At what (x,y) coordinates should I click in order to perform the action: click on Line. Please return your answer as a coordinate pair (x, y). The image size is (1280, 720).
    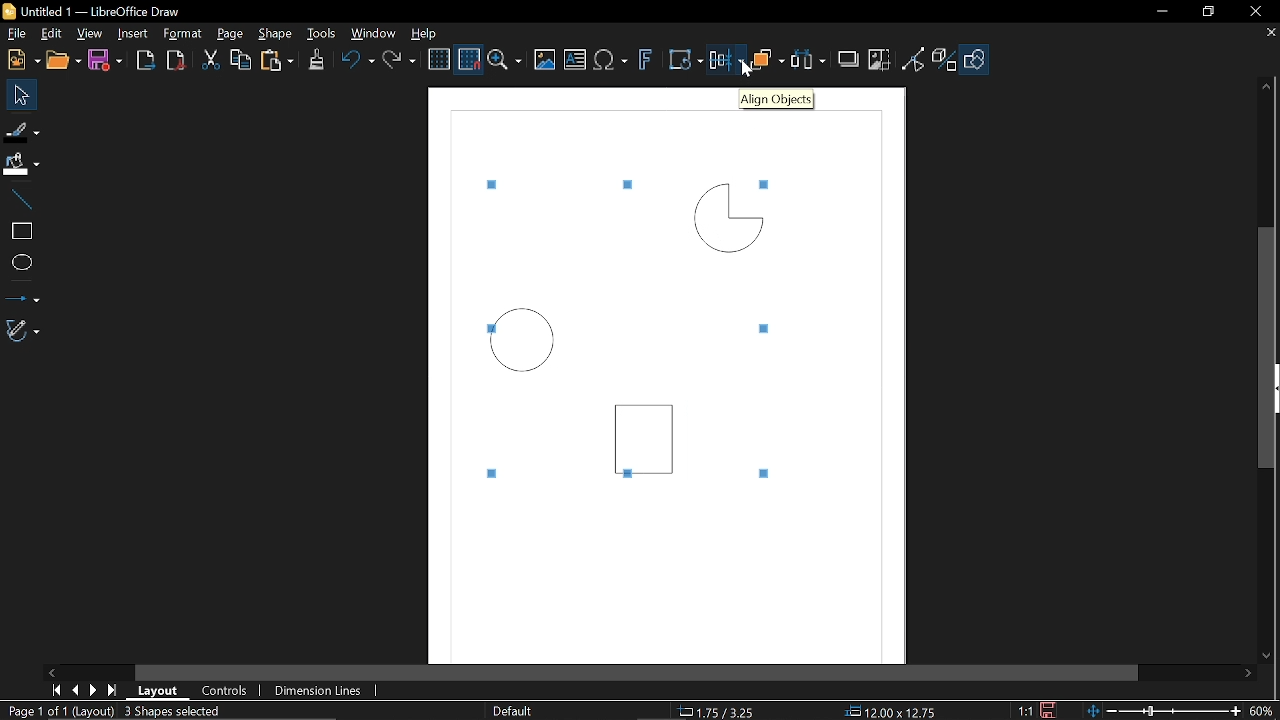
    Looking at the image, I should click on (18, 195).